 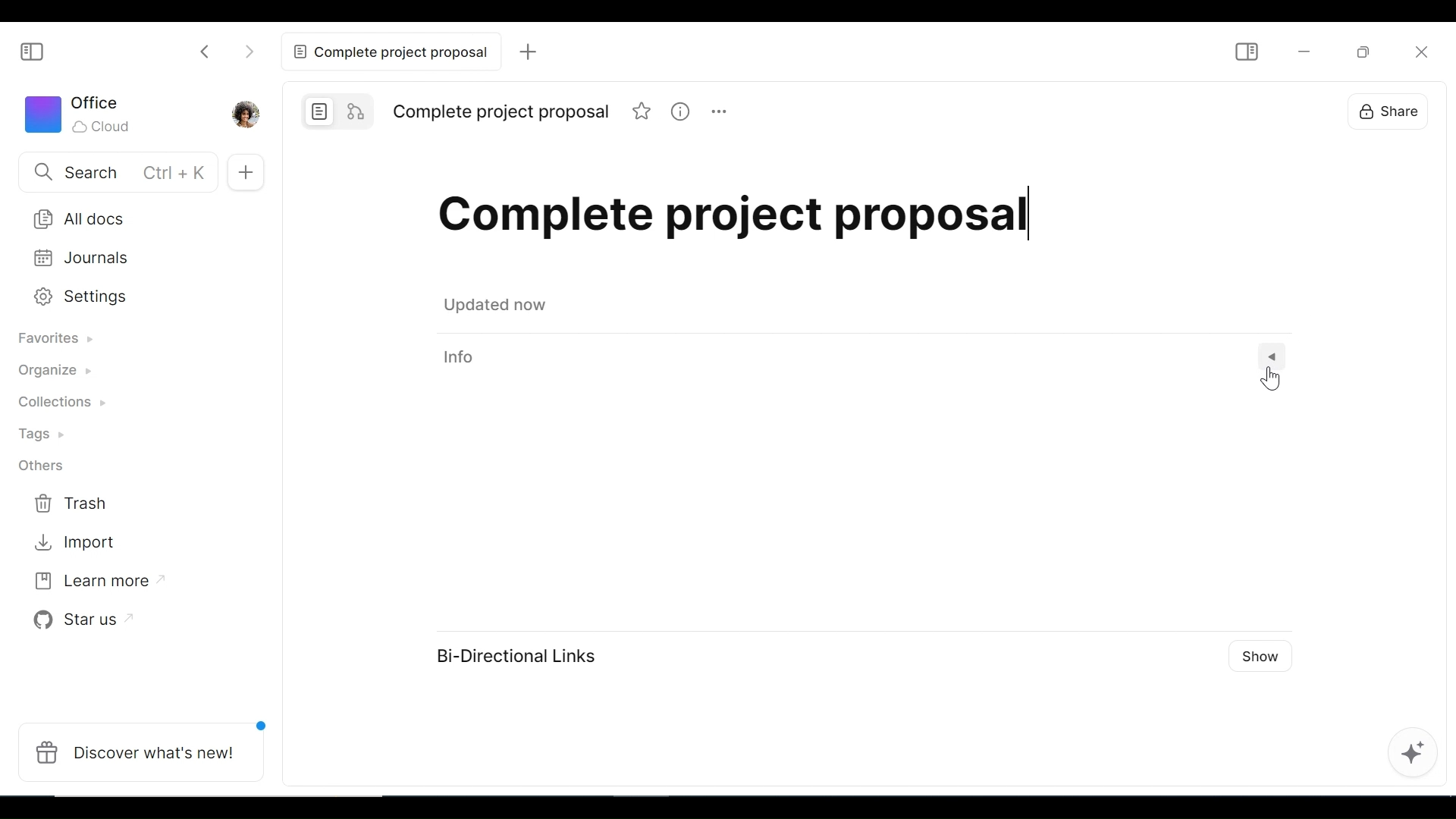 I want to click on Search, so click(x=115, y=173).